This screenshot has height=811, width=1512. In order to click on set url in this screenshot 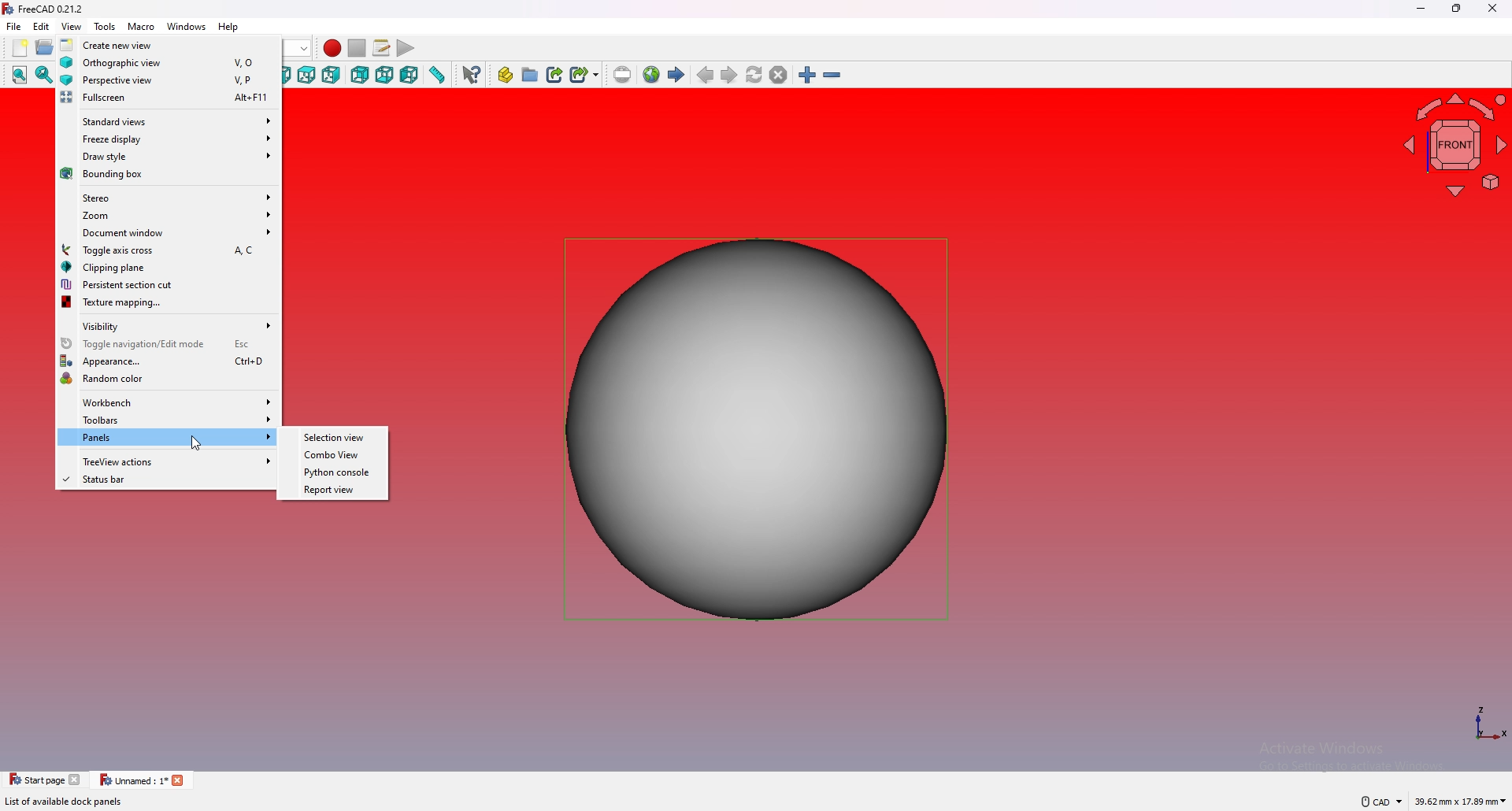, I will do `click(622, 75)`.